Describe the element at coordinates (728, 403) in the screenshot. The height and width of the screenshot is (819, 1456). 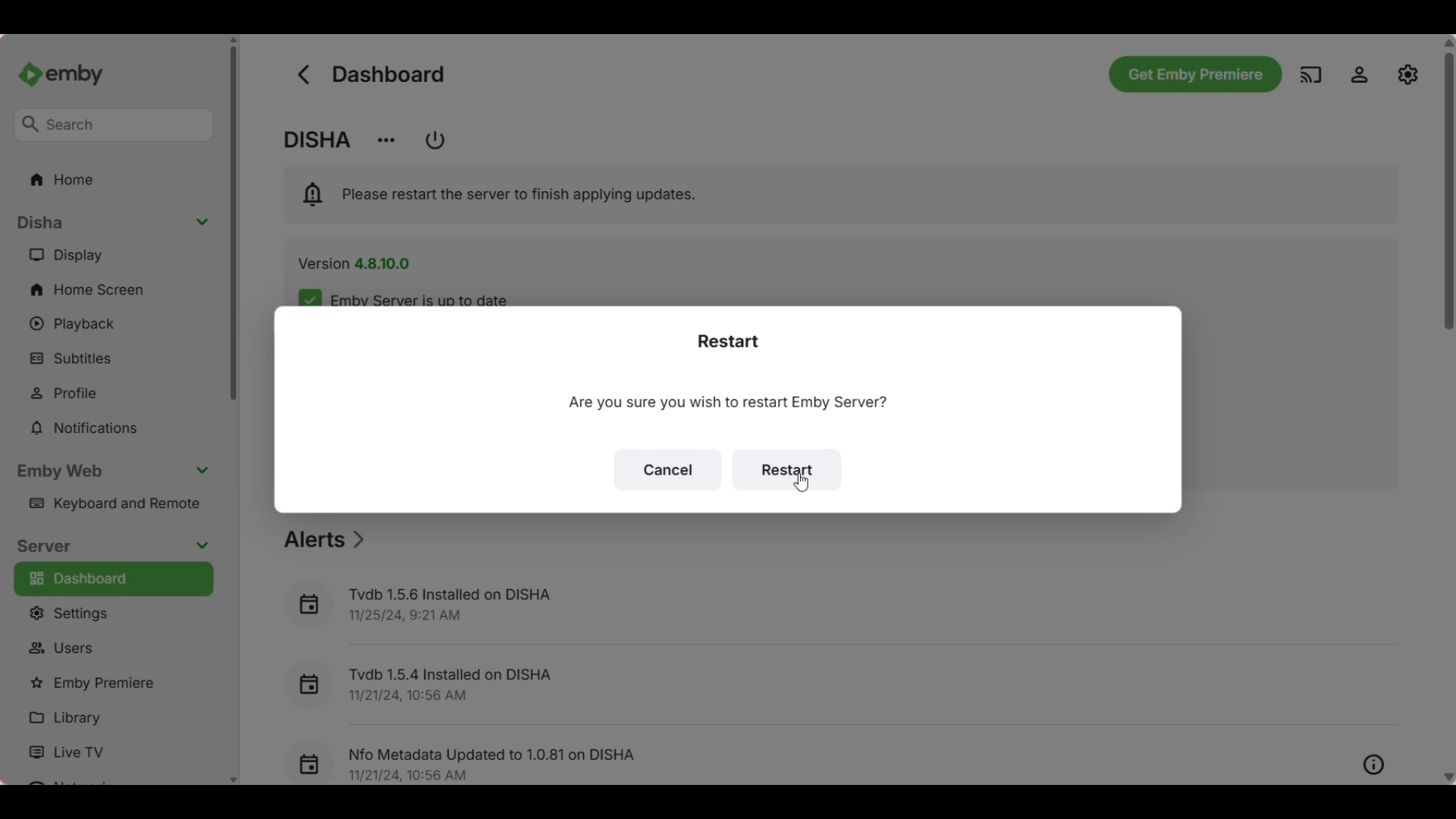
I see `Text of current window` at that location.